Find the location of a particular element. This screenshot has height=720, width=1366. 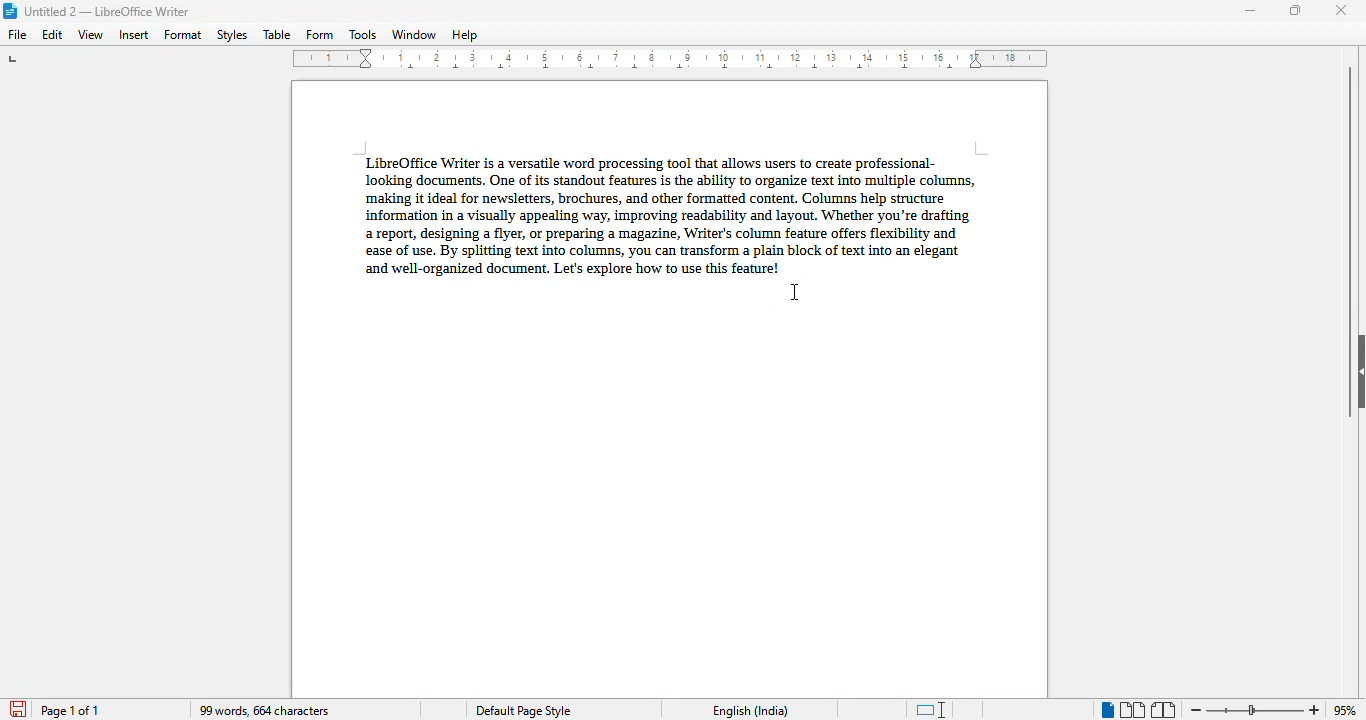

book view is located at coordinates (1162, 709).